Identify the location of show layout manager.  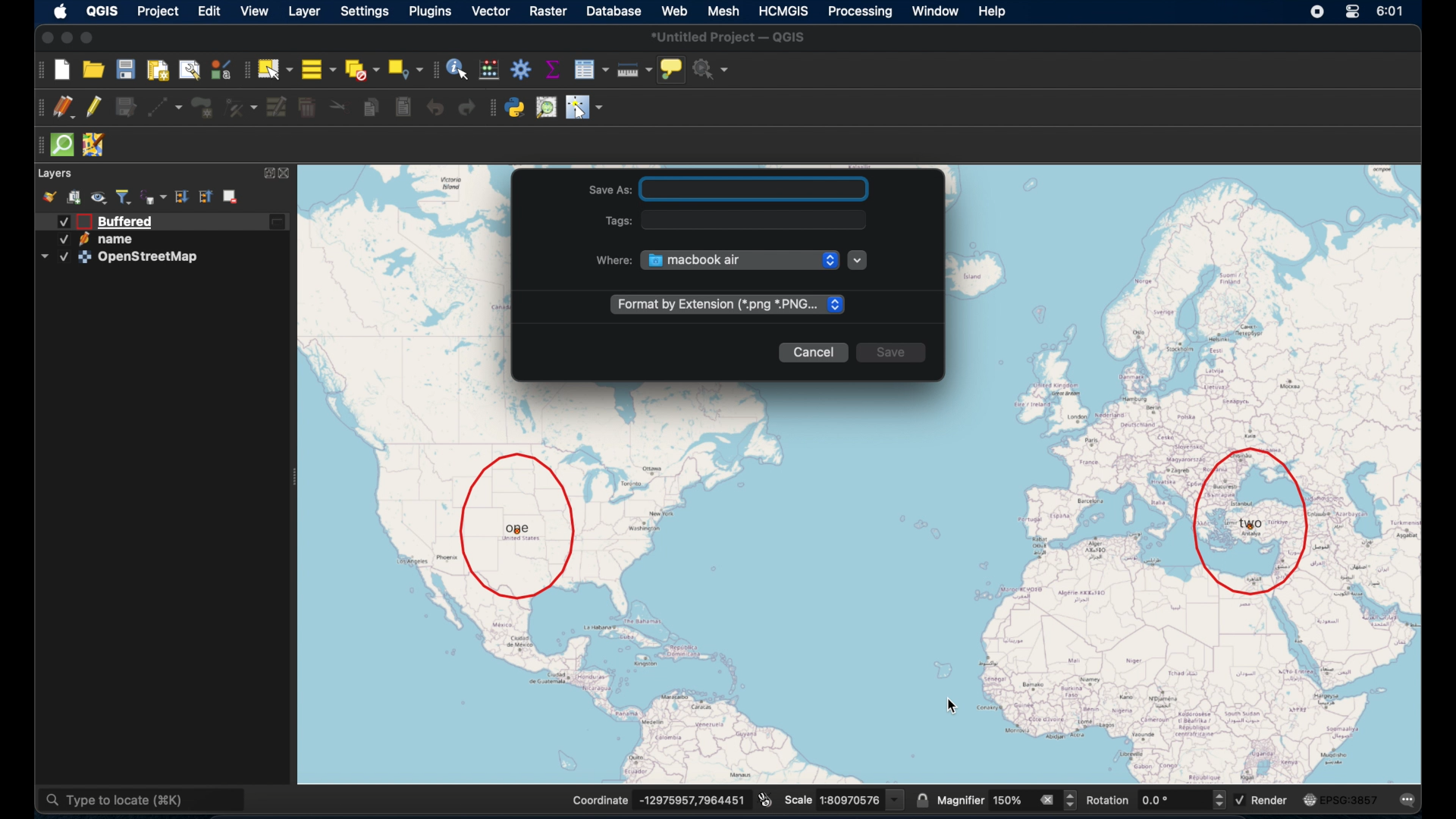
(188, 69).